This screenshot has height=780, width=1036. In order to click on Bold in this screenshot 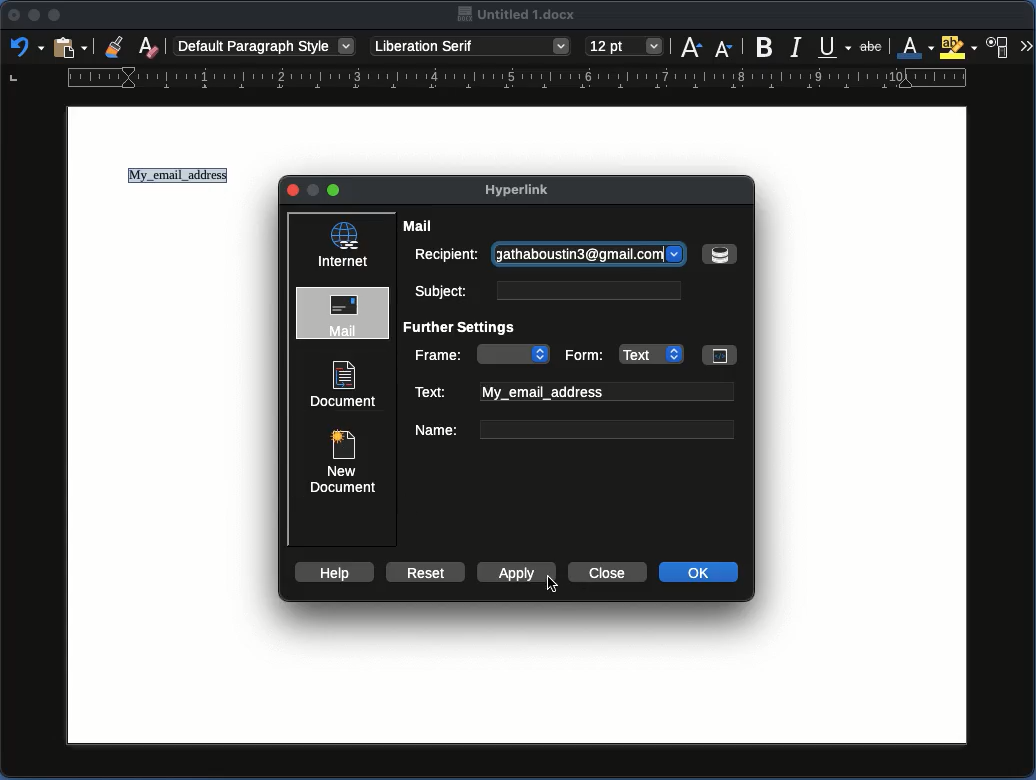, I will do `click(765, 47)`.